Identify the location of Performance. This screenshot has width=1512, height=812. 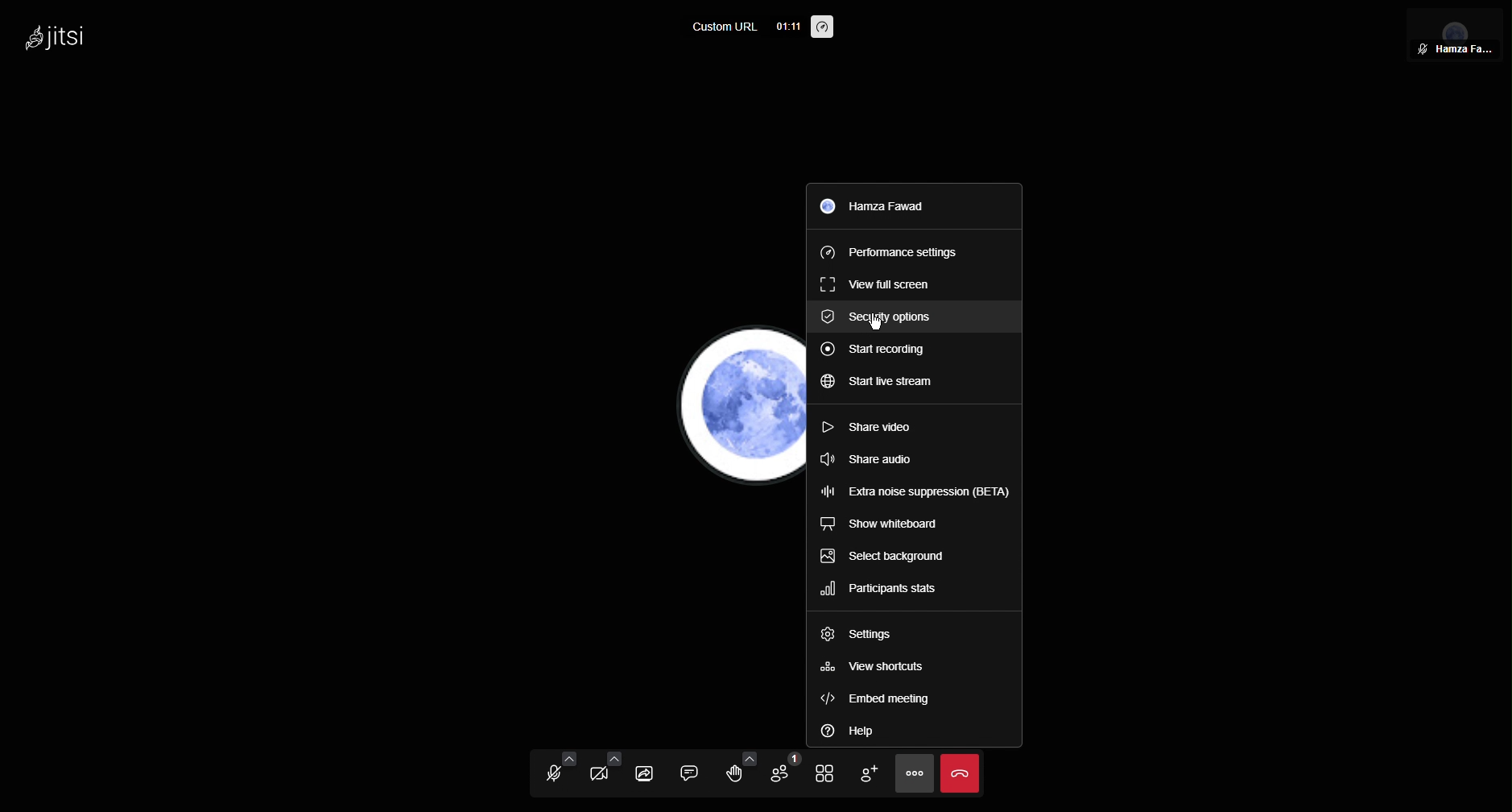
(824, 28).